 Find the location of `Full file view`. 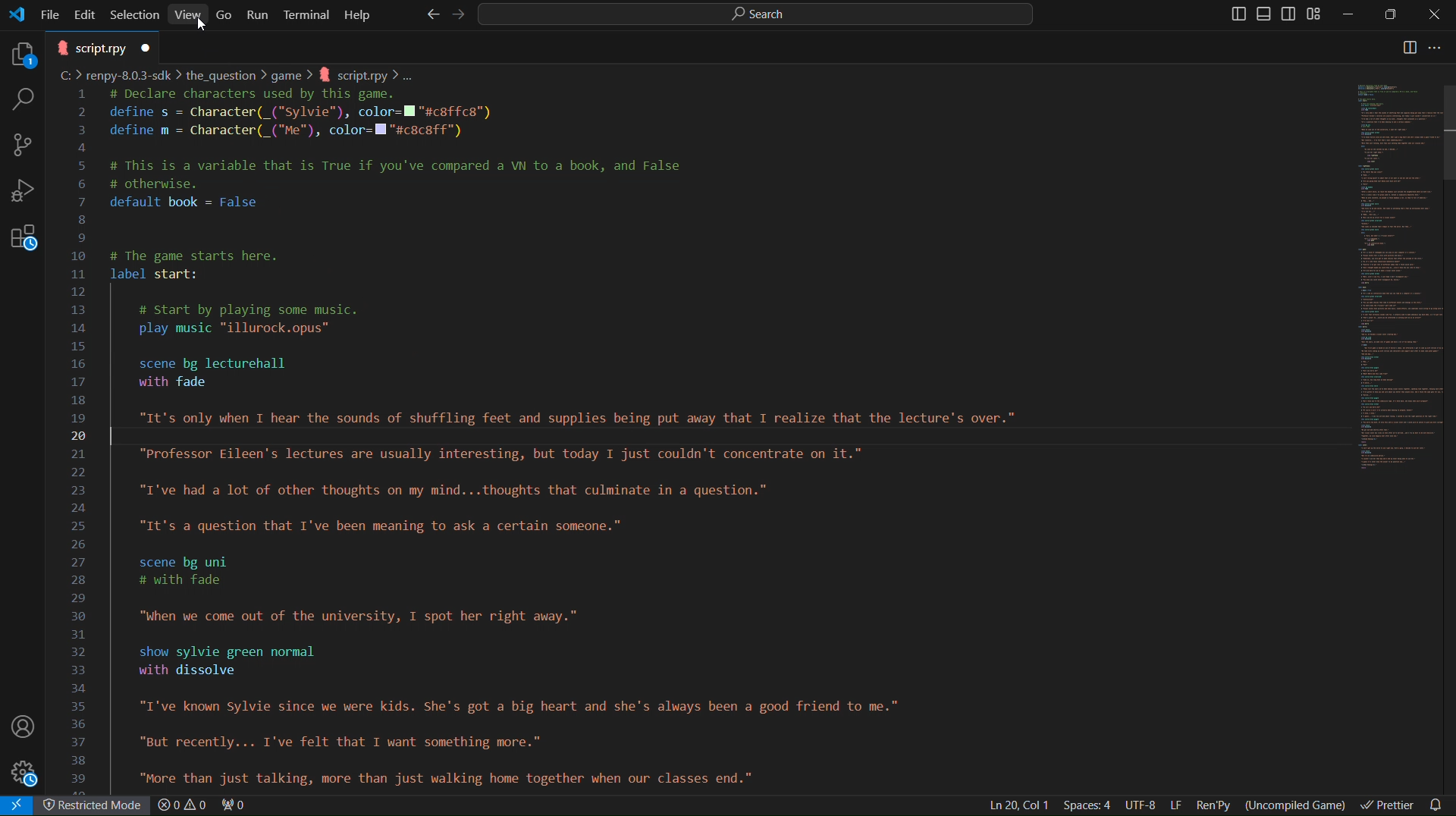

Full file view is located at coordinates (1385, 278).